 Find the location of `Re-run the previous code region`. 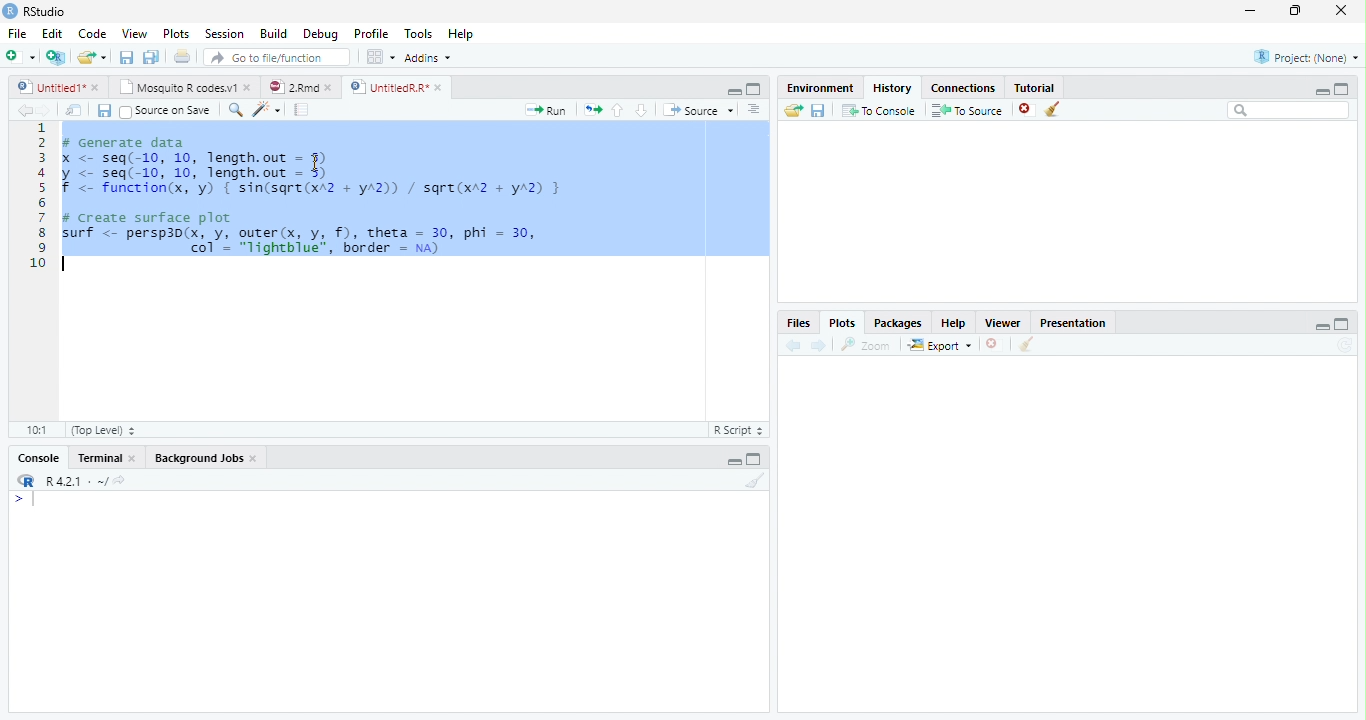

Re-run the previous code region is located at coordinates (592, 109).